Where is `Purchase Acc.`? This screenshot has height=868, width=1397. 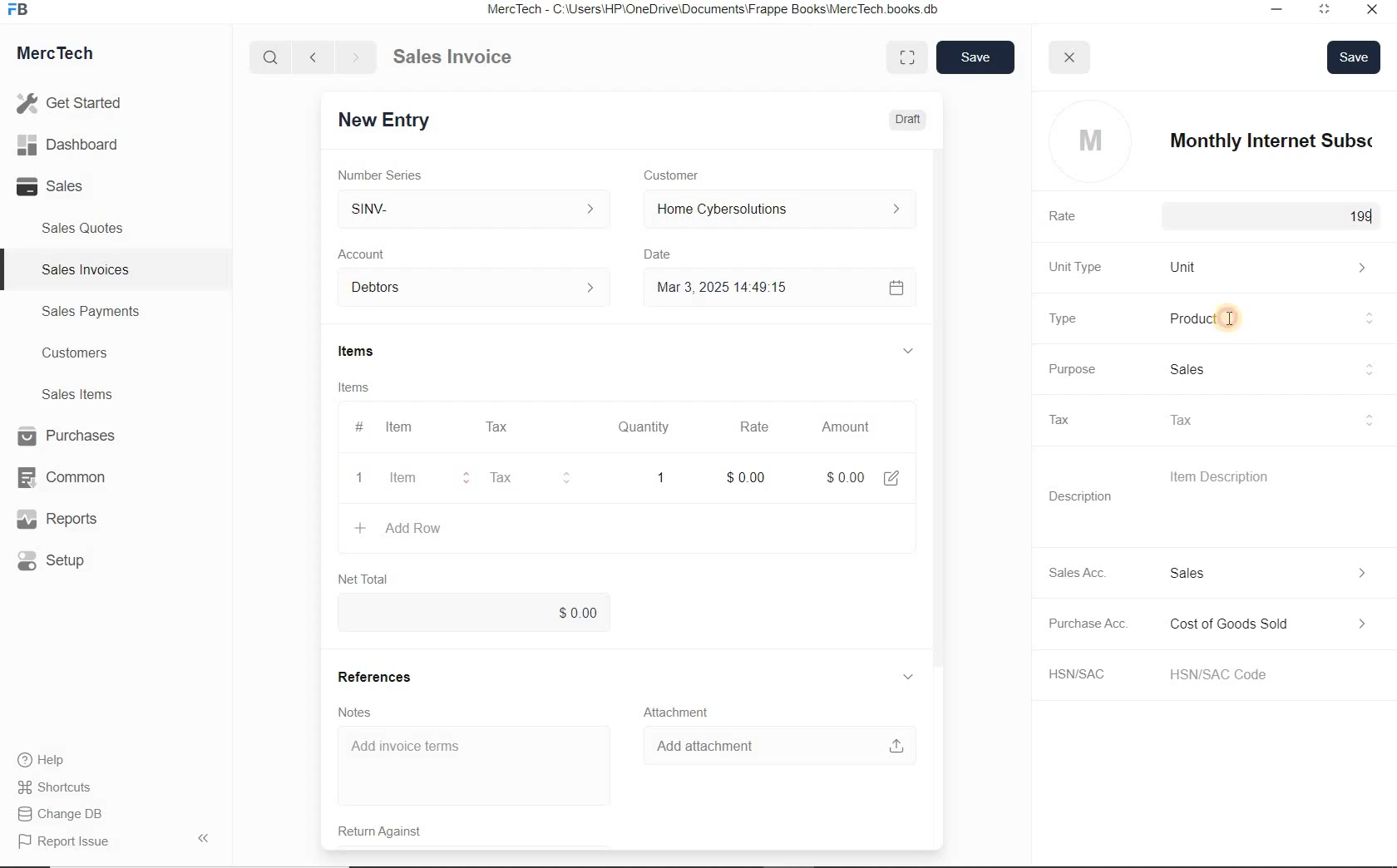 Purchase Acc. is located at coordinates (1090, 625).